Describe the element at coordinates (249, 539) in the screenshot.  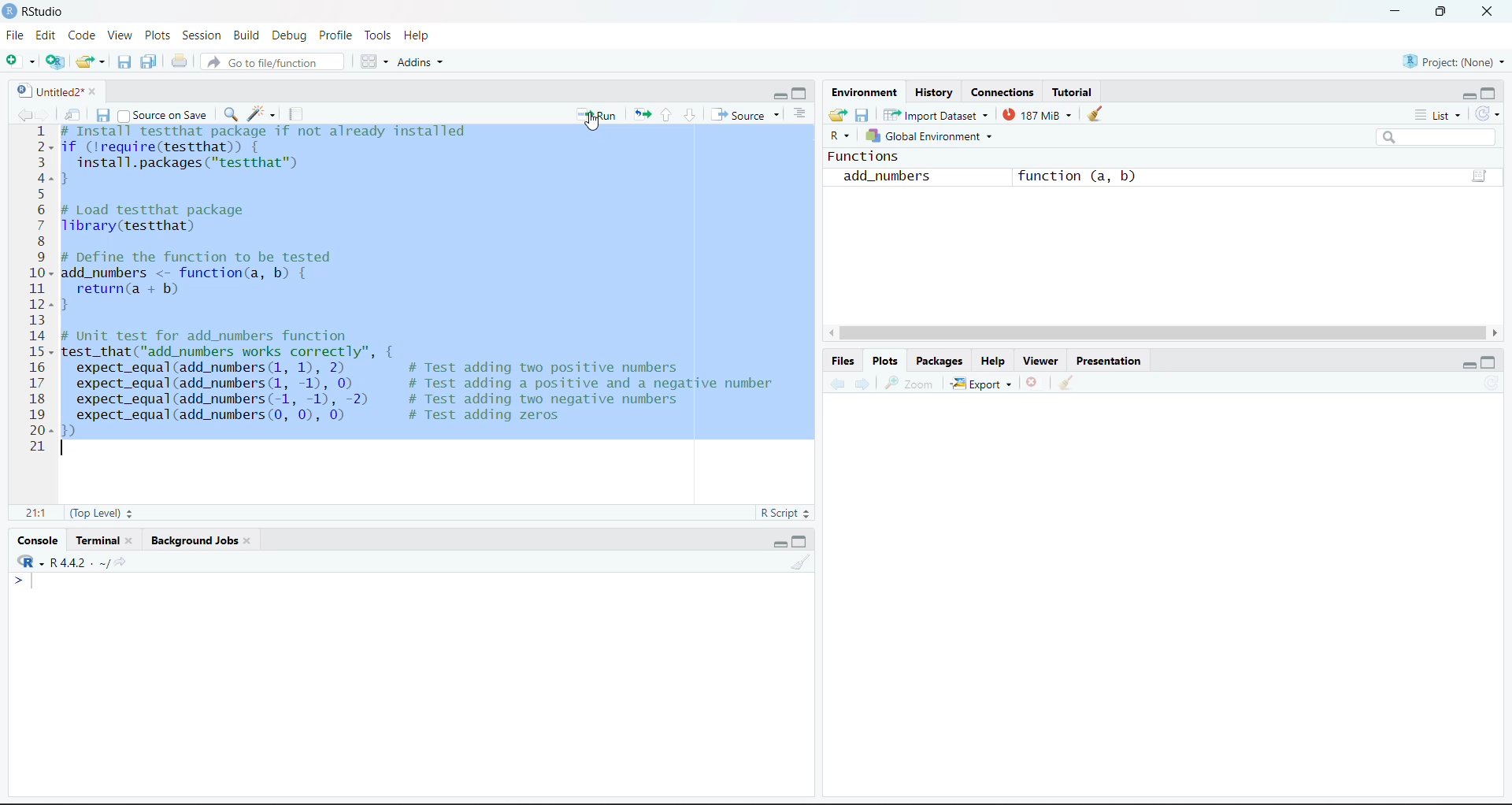
I see `close` at that location.